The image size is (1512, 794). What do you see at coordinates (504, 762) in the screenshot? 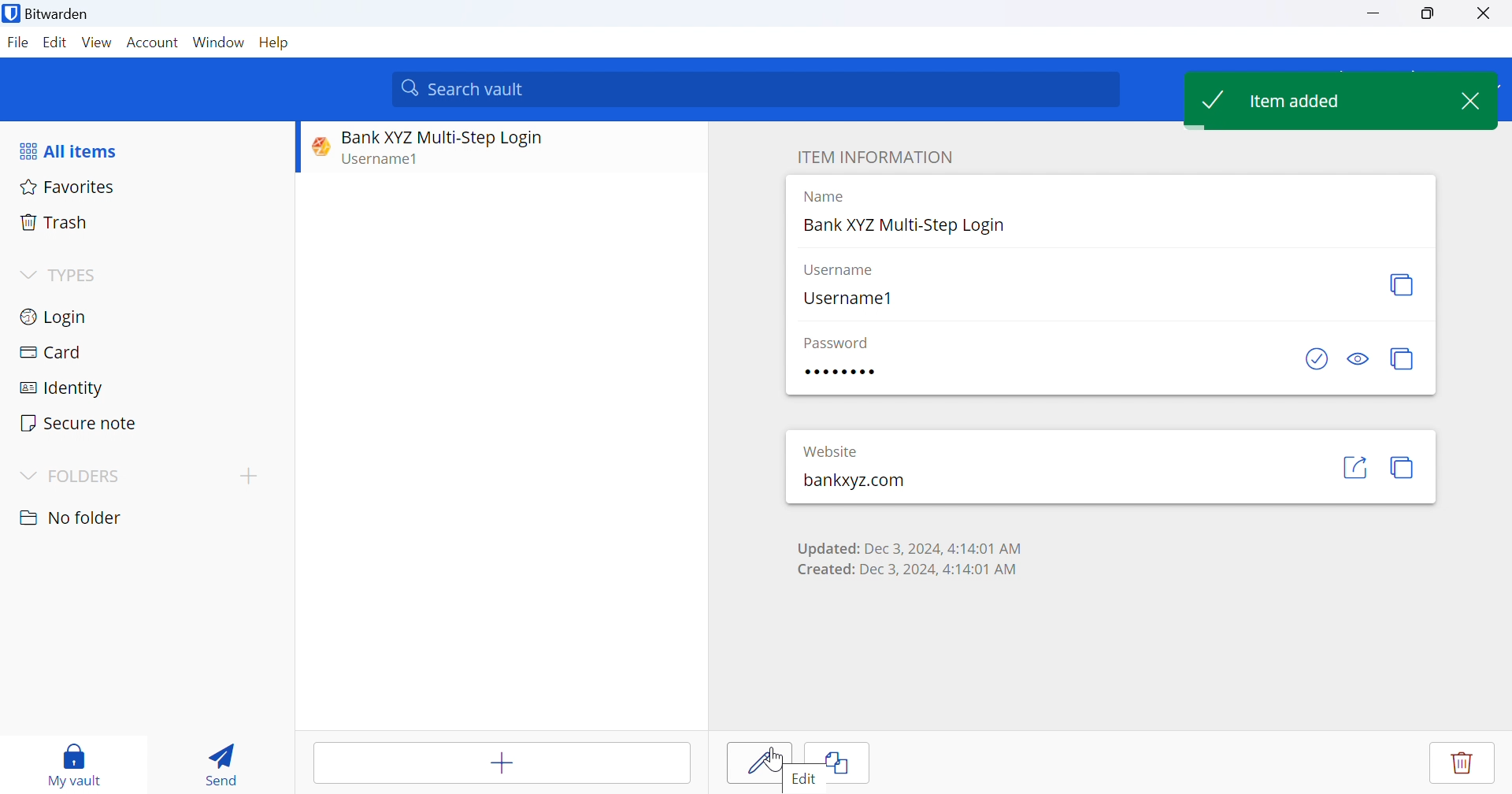
I see `Add item` at bounding box center [504, 762].